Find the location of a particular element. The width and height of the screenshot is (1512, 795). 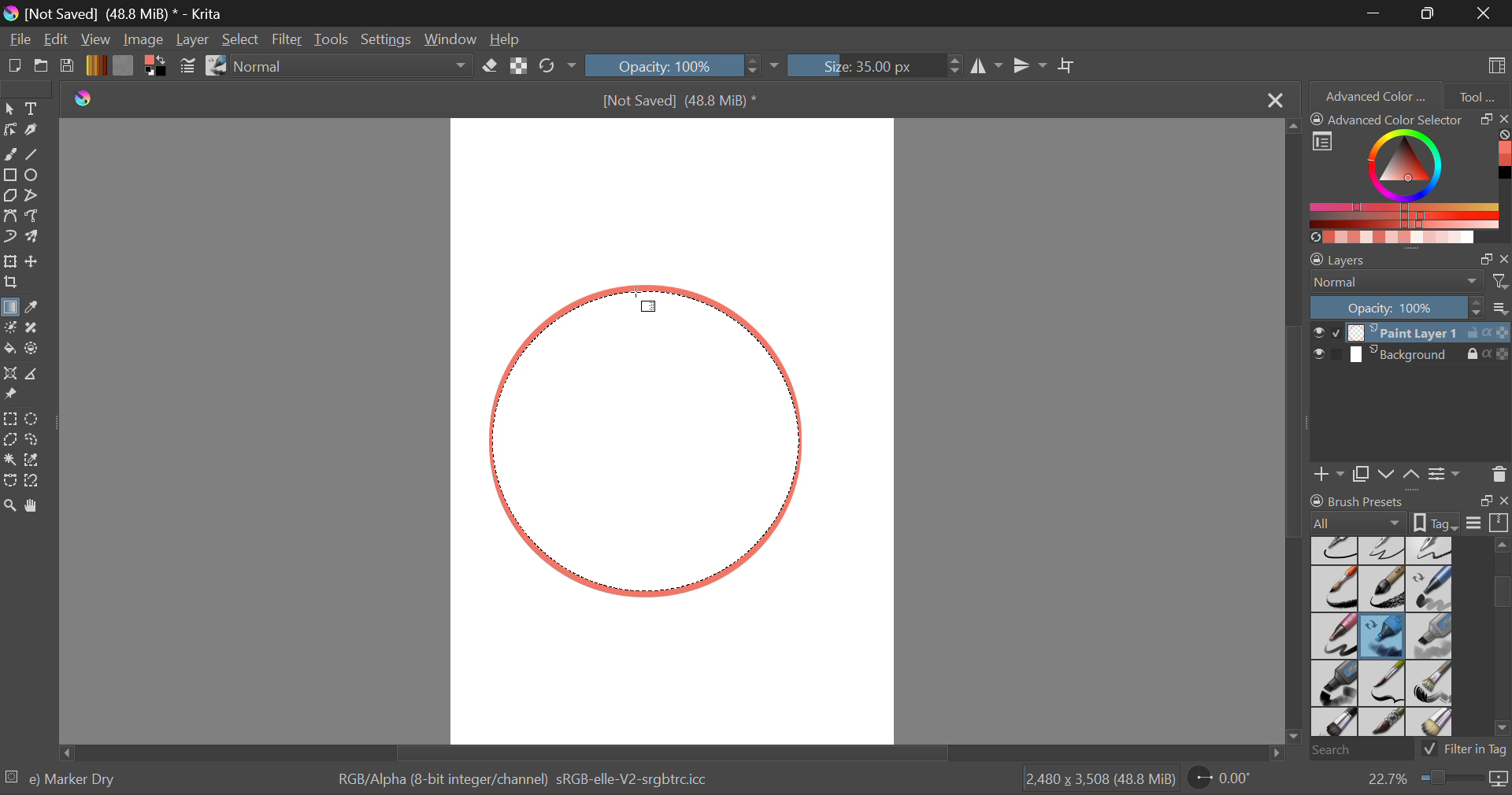

Krita Logo is located at coordinates (82, 99).